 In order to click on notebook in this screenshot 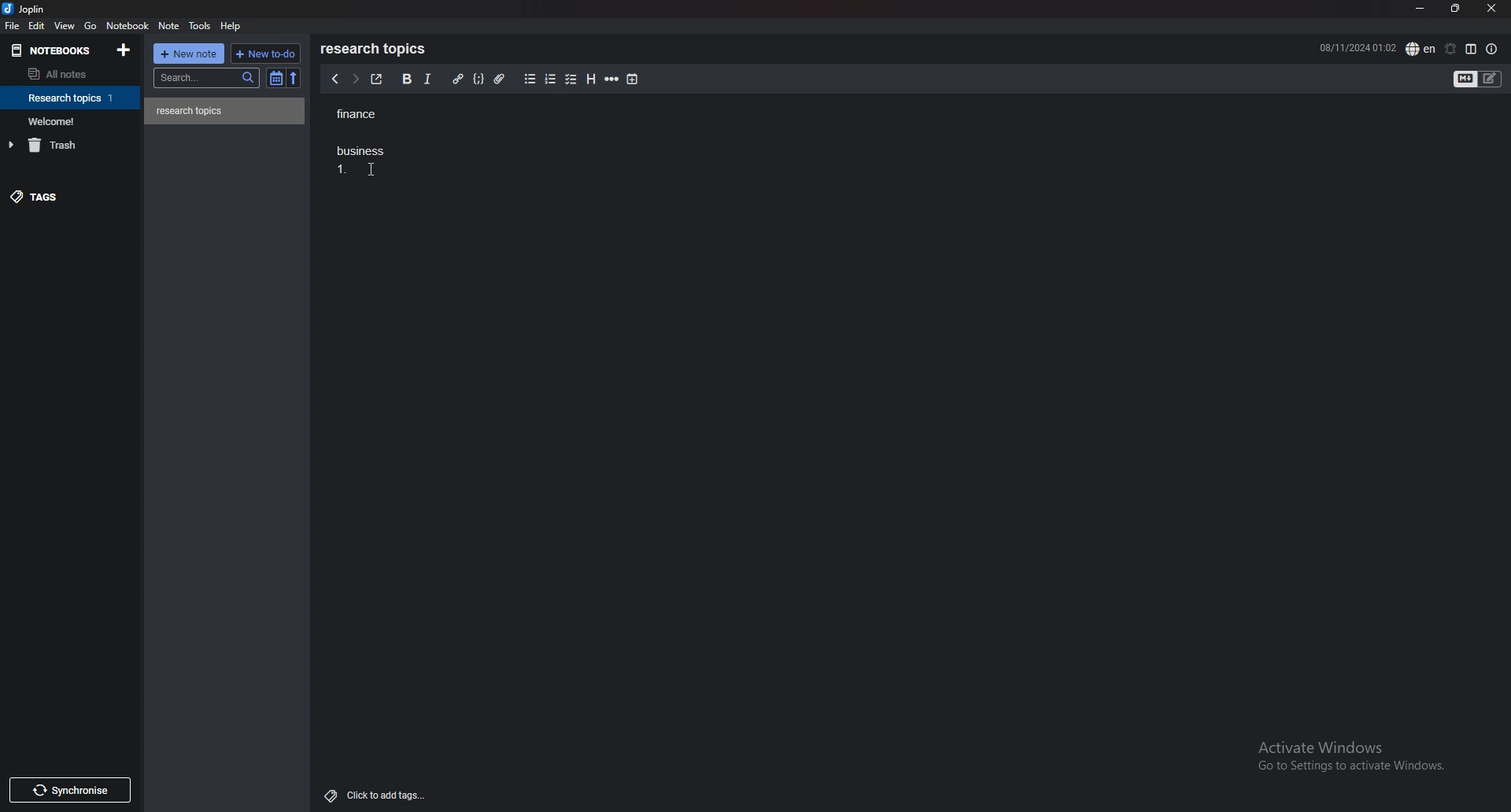, I will do `click(72, 98)`.